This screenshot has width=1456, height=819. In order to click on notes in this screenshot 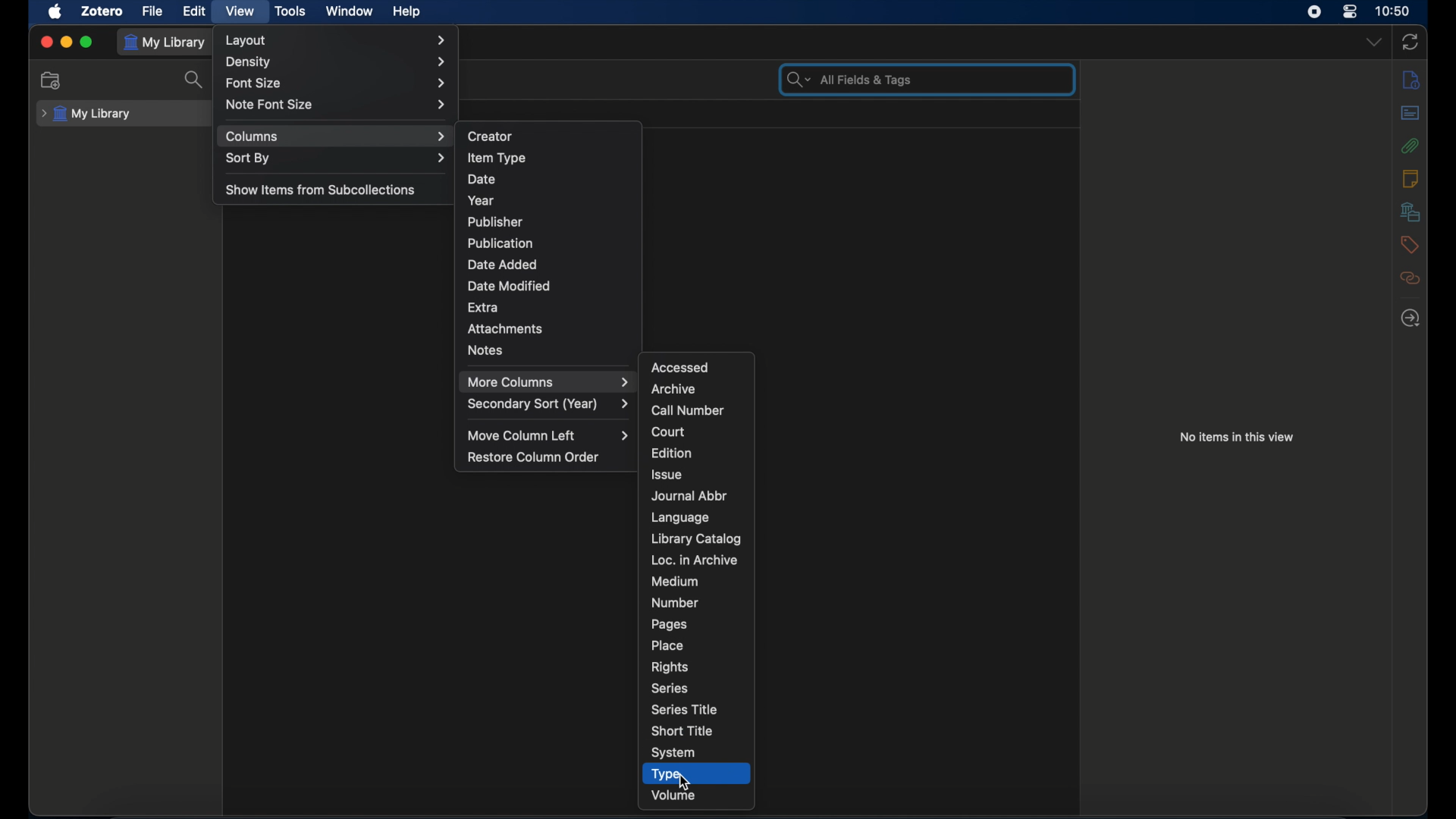, I will do `click(1411, 178)`.